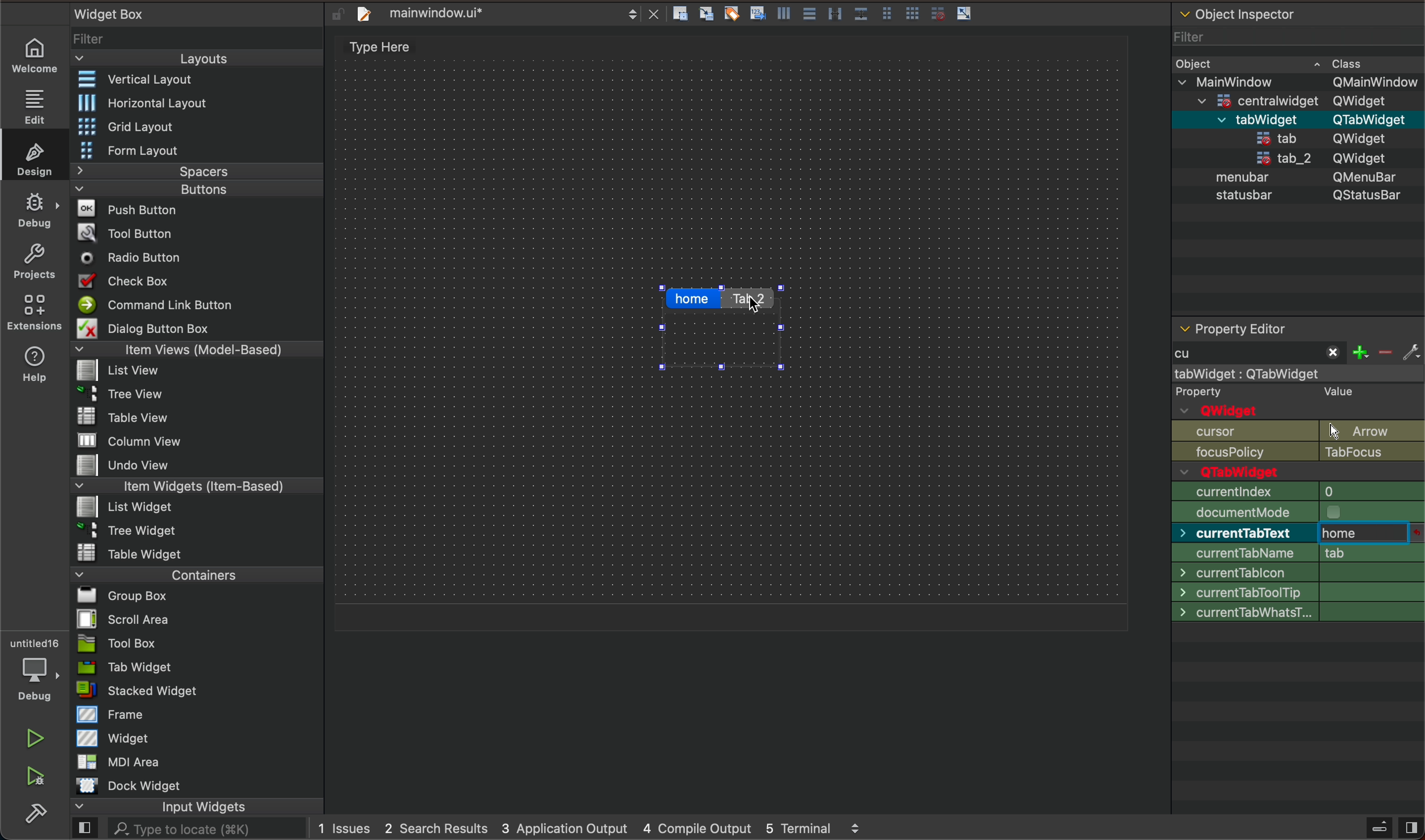 This screenshot has width=1425, height=840. I want to click on qobject, so click(1295, 400).